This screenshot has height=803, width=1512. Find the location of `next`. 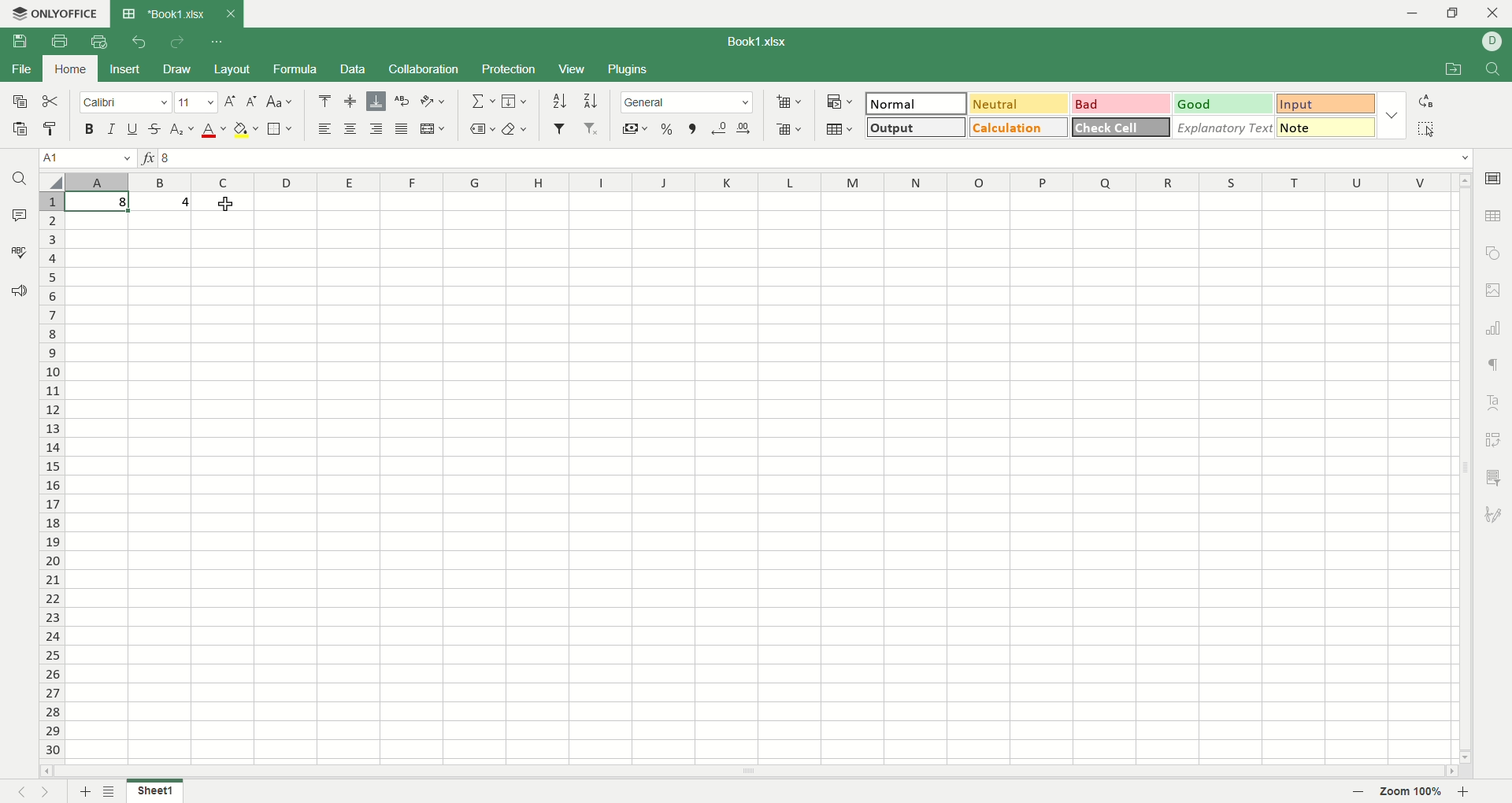

next is located at coordinates (44, 790).